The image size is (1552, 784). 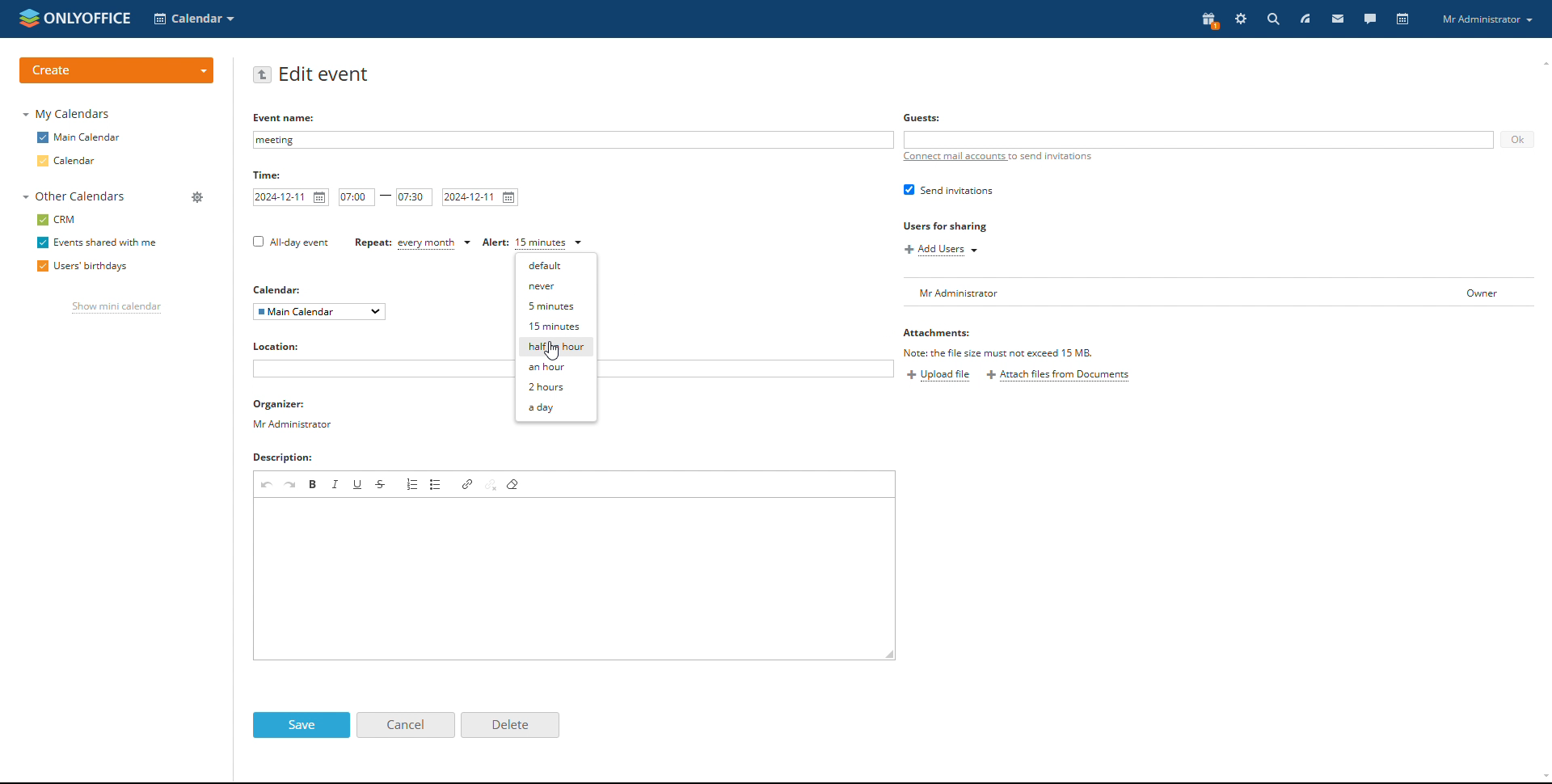 What do you see at coordinates (556, 348) in the screenshot?
I see `half an hour` at bounding box center [556, 348].